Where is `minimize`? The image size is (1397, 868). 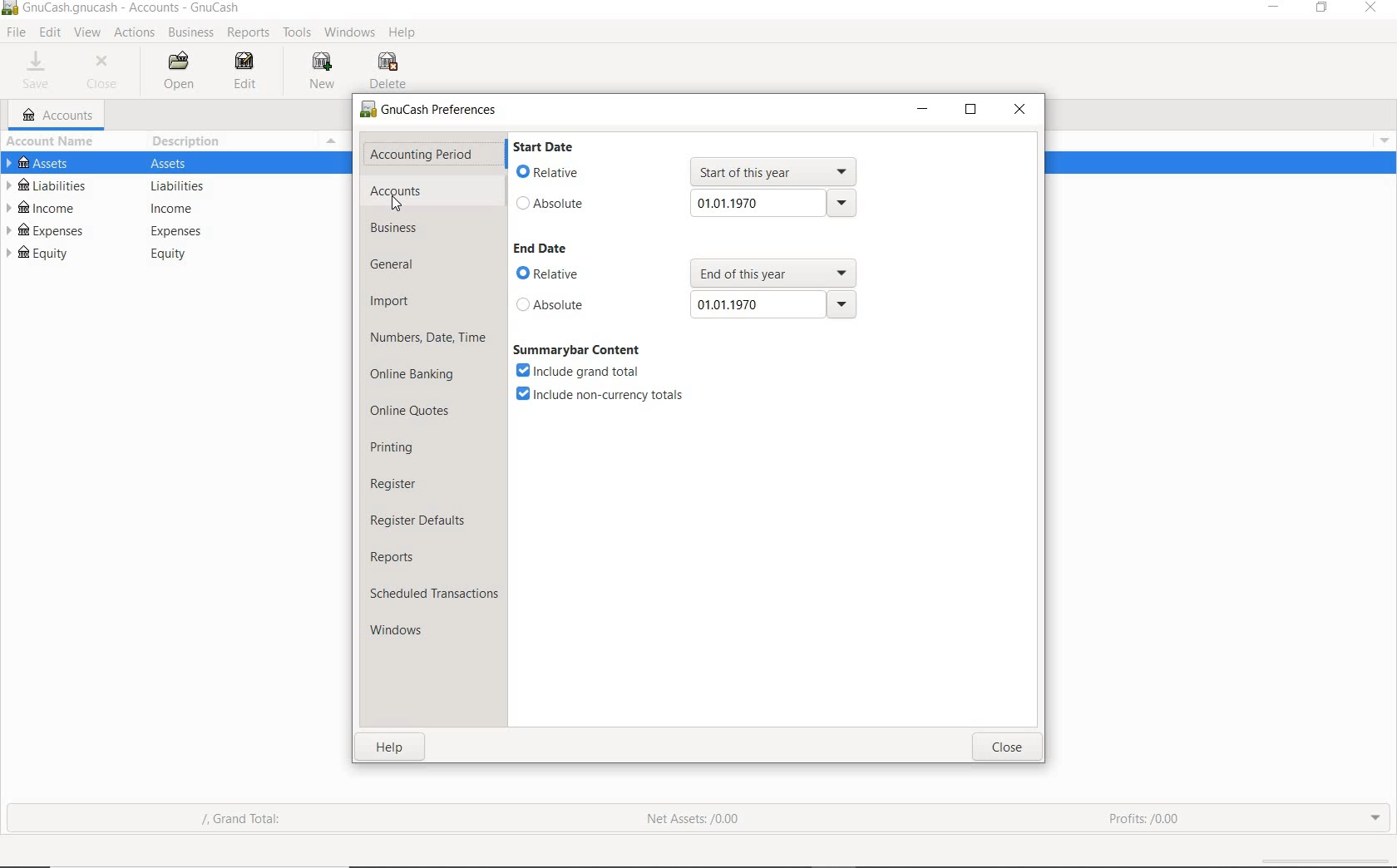 minimize is located at coordinates (1271, 8).